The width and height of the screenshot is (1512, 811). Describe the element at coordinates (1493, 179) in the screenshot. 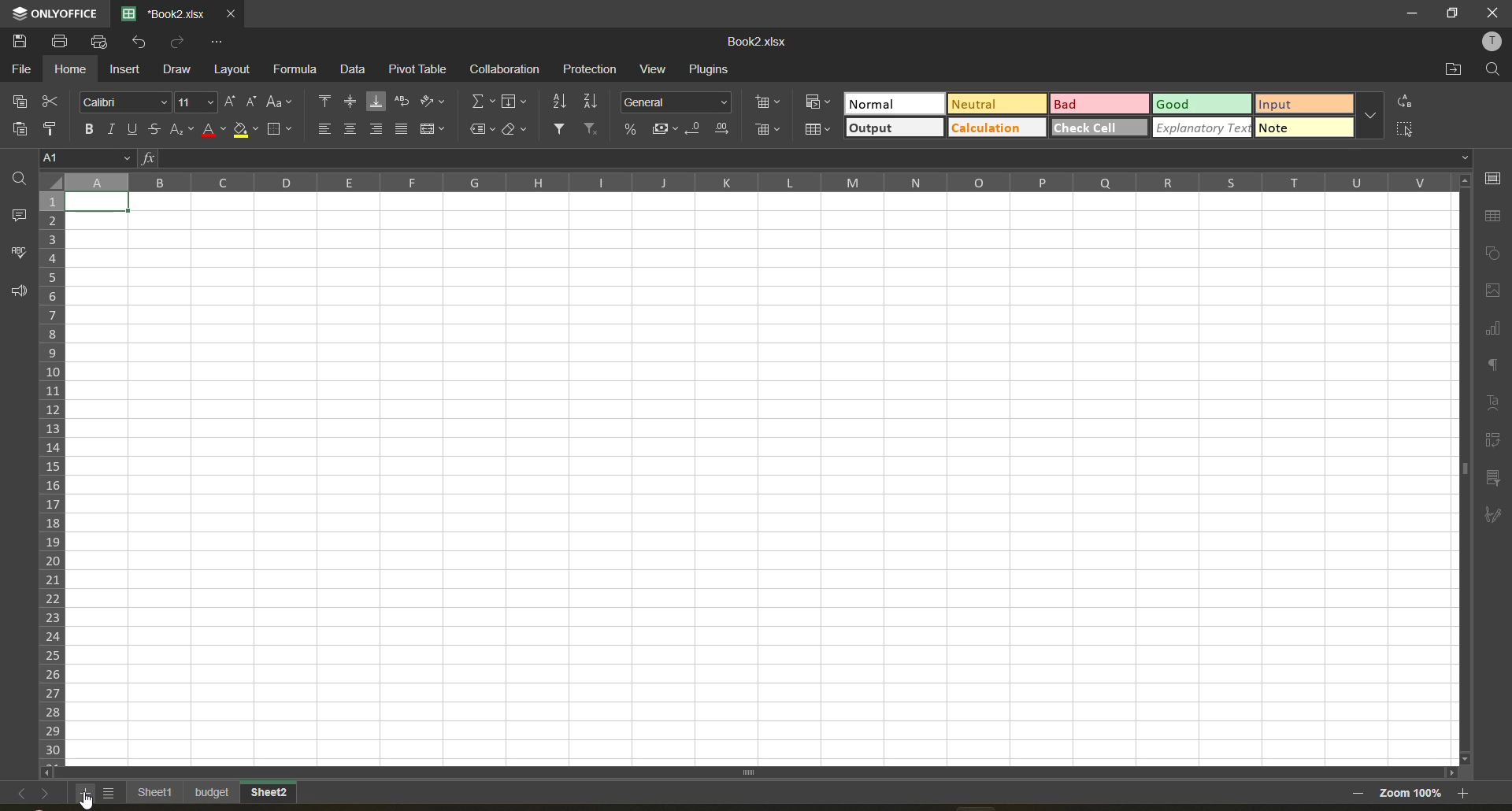

I see `cell settings` at that location.